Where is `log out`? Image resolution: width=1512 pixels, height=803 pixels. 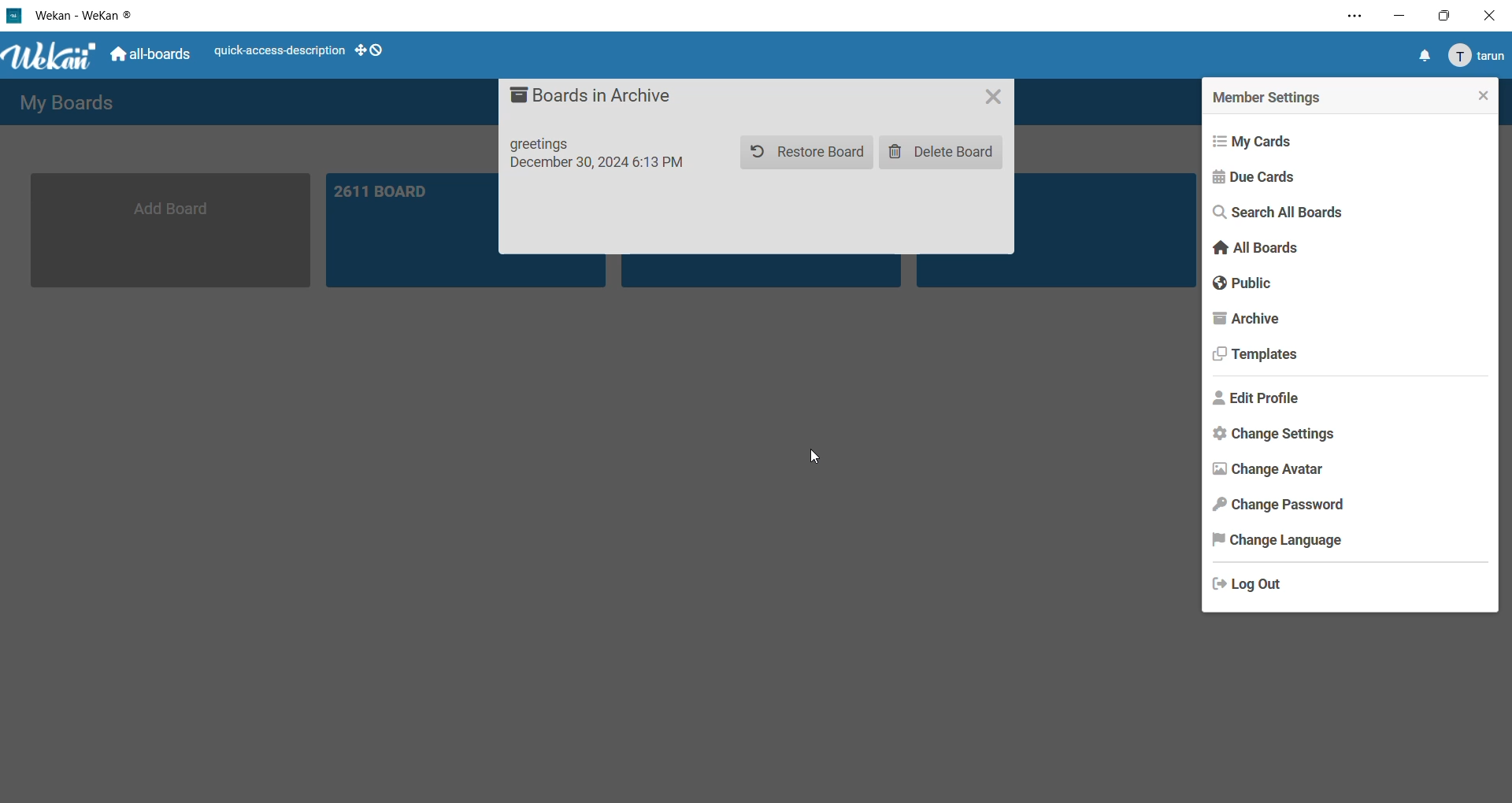
log out is located at coordinates (1254, 587).